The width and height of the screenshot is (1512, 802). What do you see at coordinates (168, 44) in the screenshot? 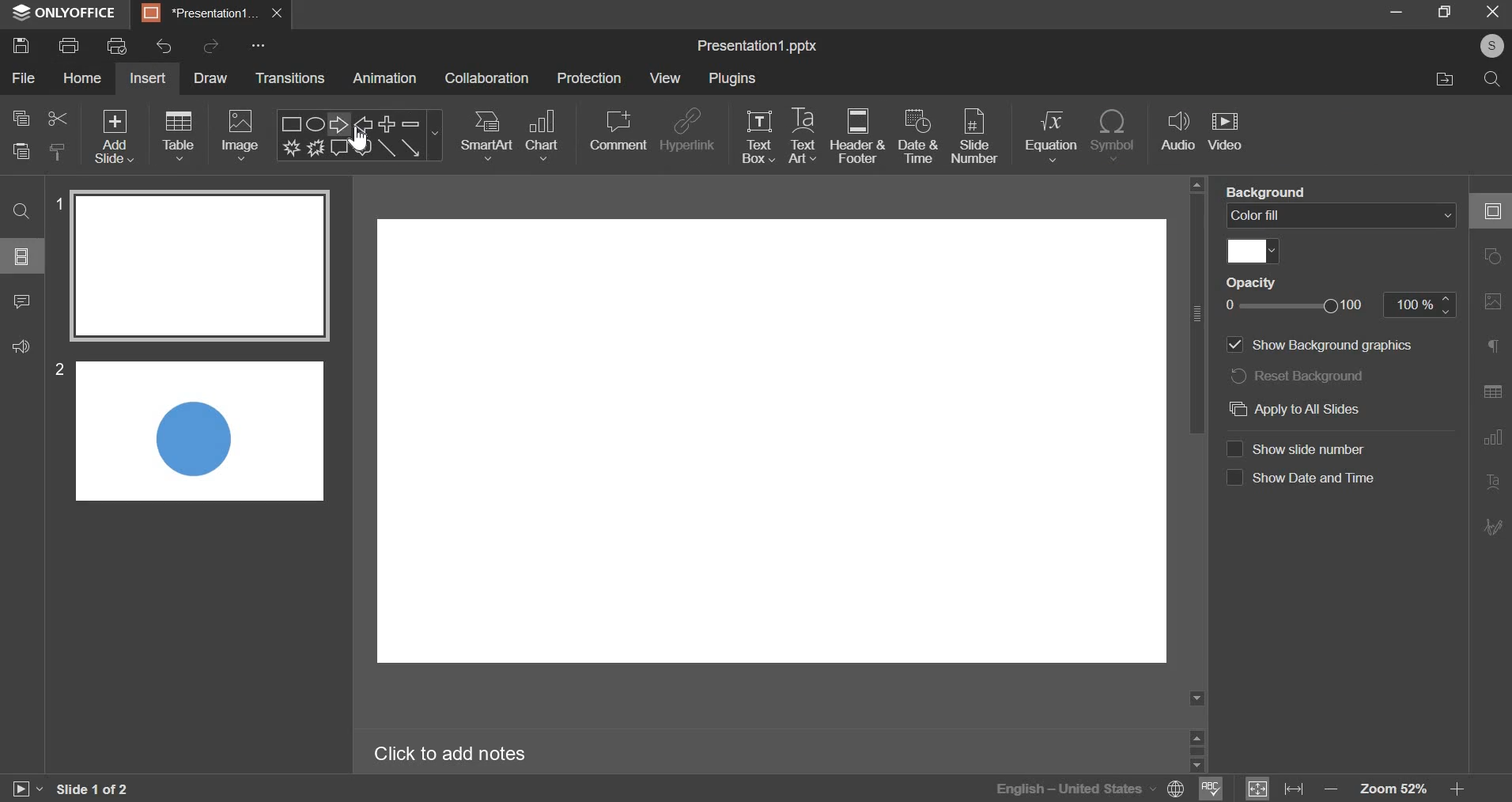
I see `undo` at bounding box center [168, 44].